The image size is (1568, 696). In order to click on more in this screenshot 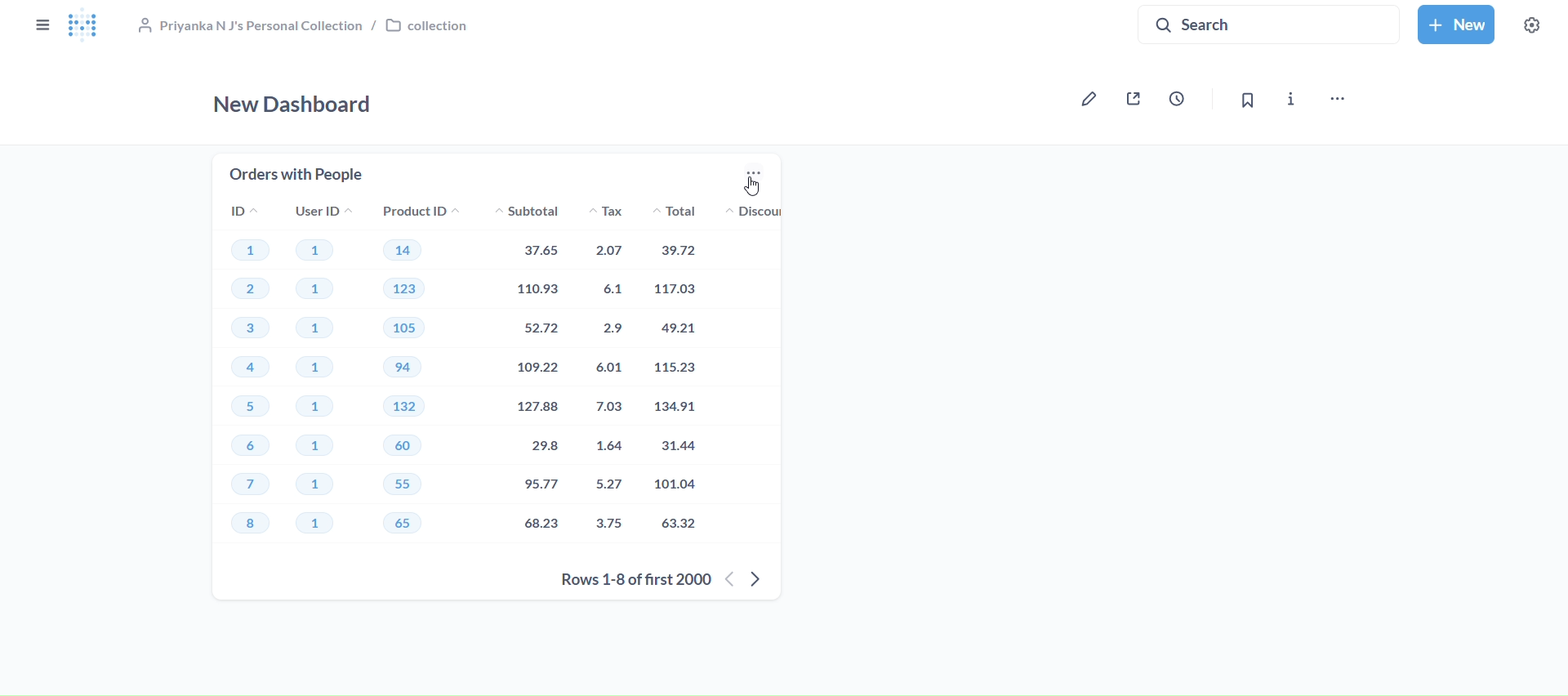, I will do `click(1336, 100)`.